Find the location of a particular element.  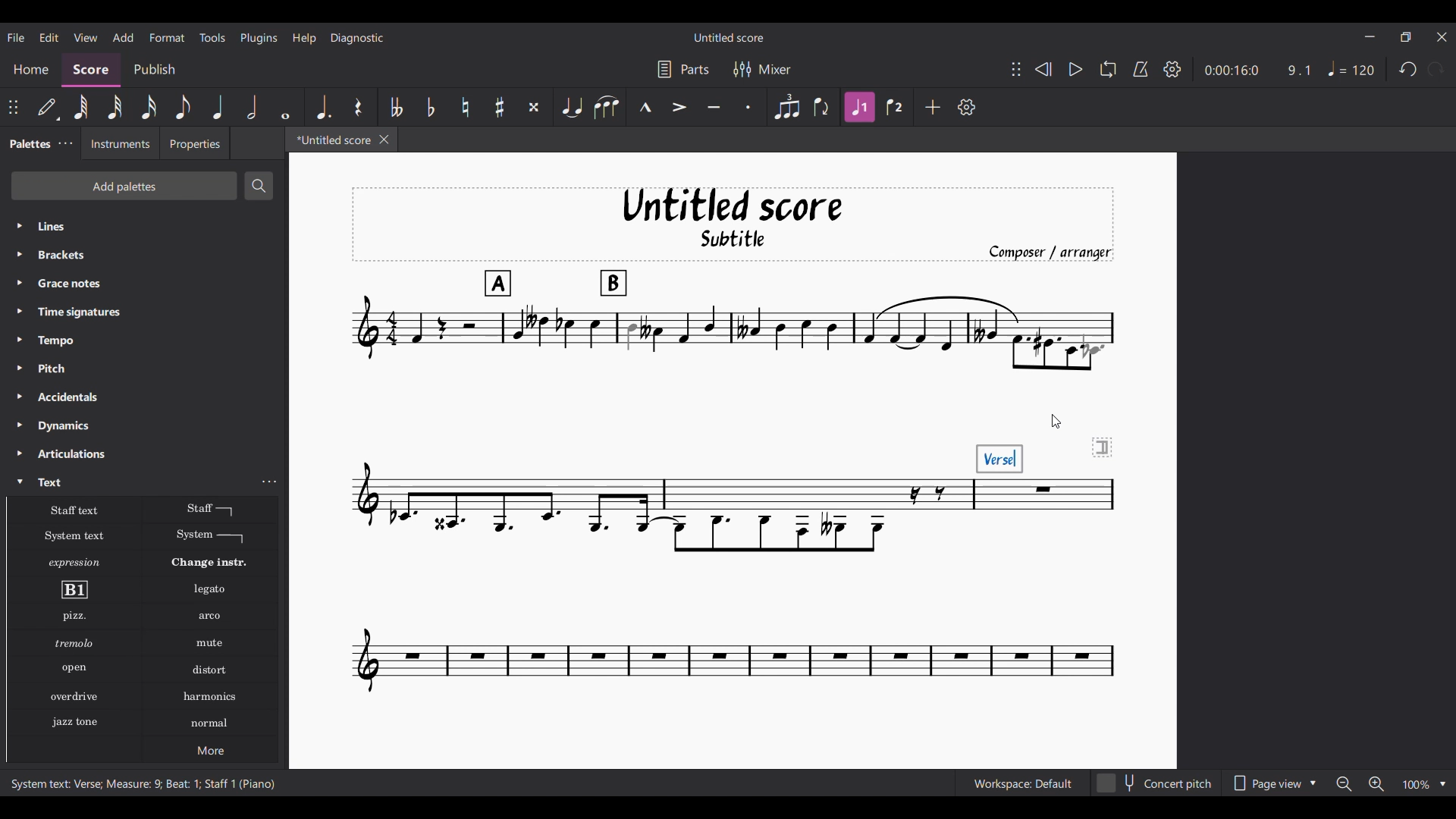

Add palettes is located at coordinates (124, 186).